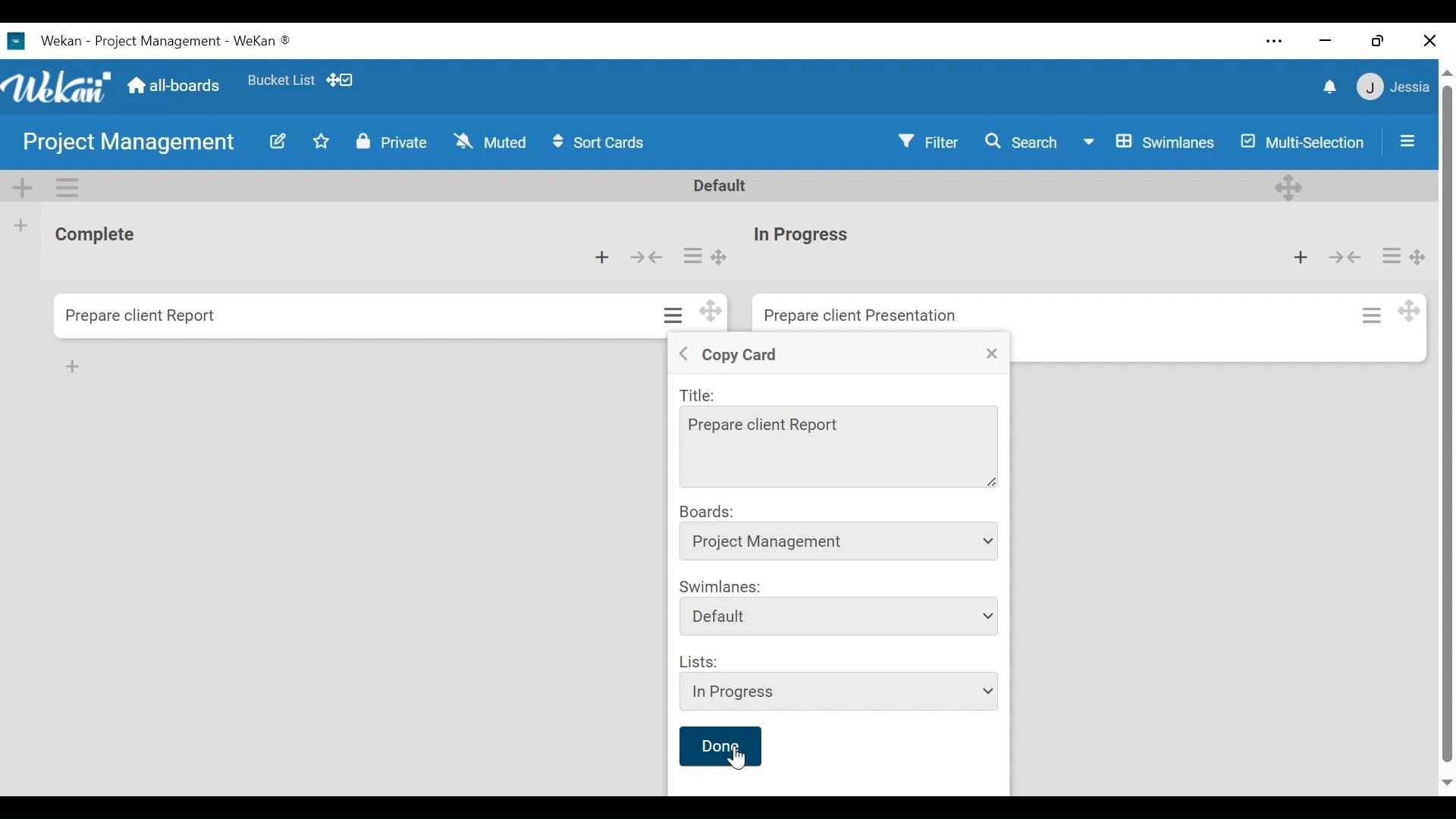 The height and width of the screenshot is (819, 1456). I want to click on Card actions, so click(1371, 312).